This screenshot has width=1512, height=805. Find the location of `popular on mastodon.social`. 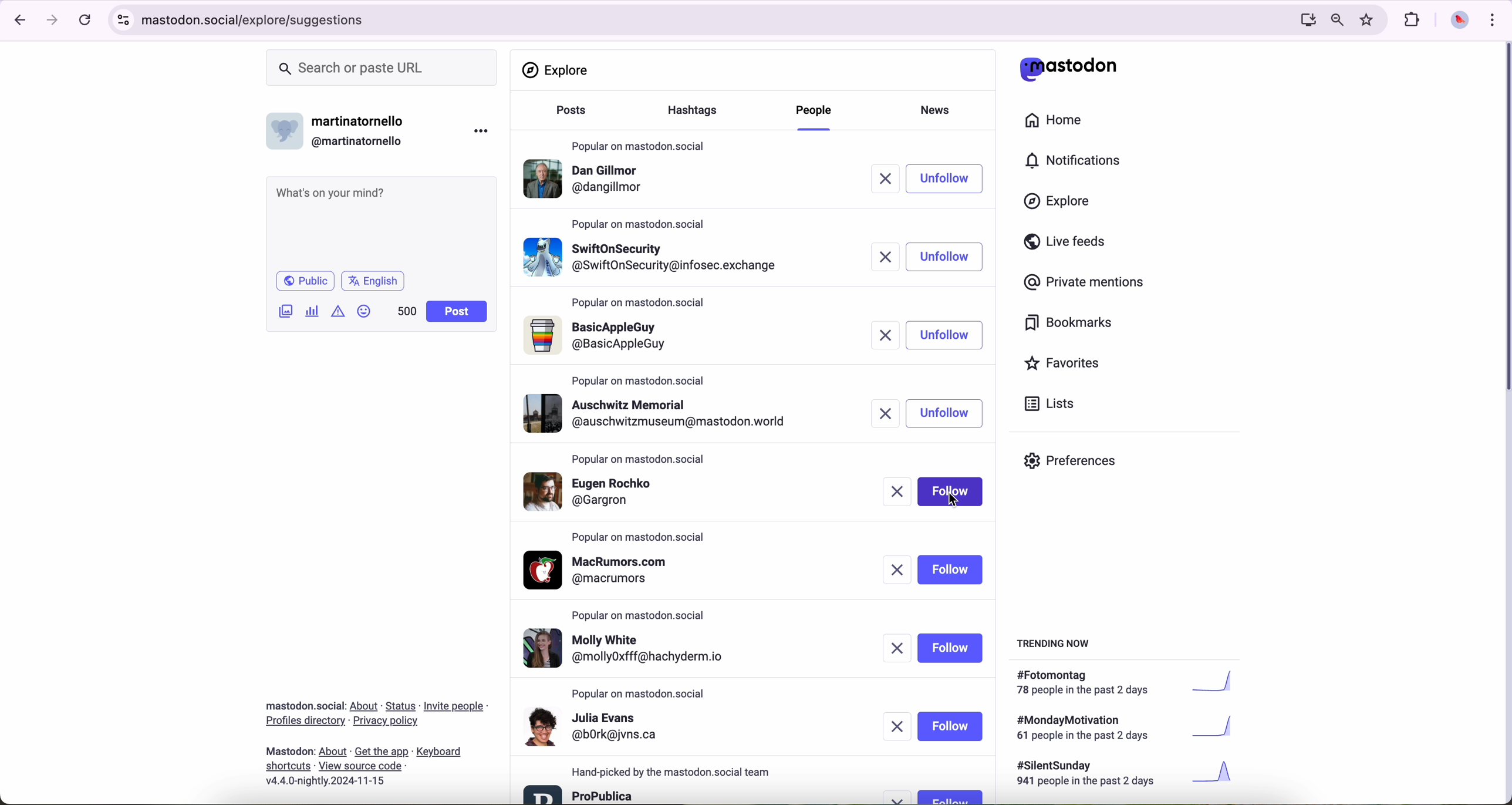

popular on mastodon.social is located at coordinates (642, 223).